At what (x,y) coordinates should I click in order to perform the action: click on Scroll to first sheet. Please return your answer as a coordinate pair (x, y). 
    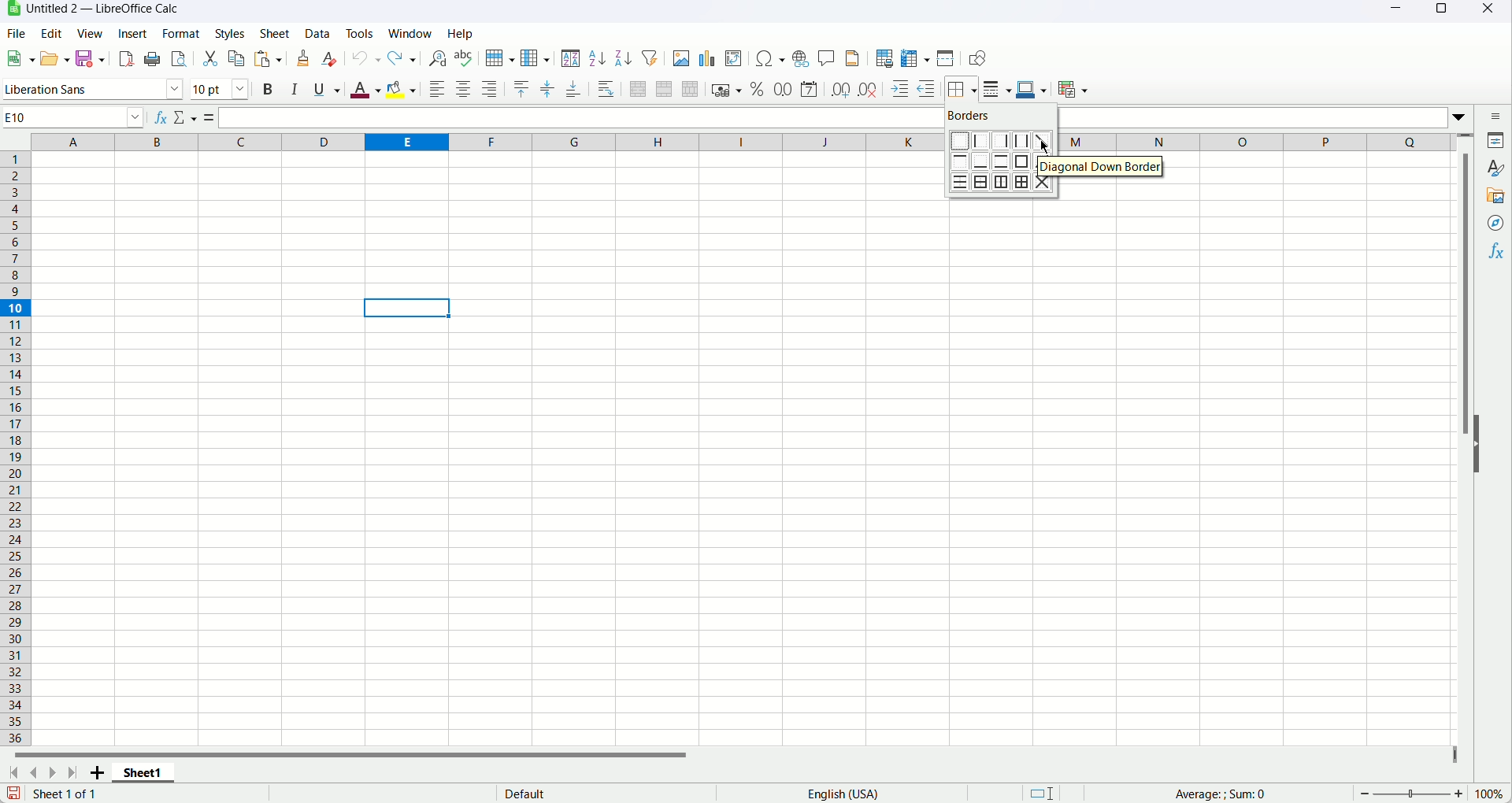
    Looking at the image, I should click on (13, 774).